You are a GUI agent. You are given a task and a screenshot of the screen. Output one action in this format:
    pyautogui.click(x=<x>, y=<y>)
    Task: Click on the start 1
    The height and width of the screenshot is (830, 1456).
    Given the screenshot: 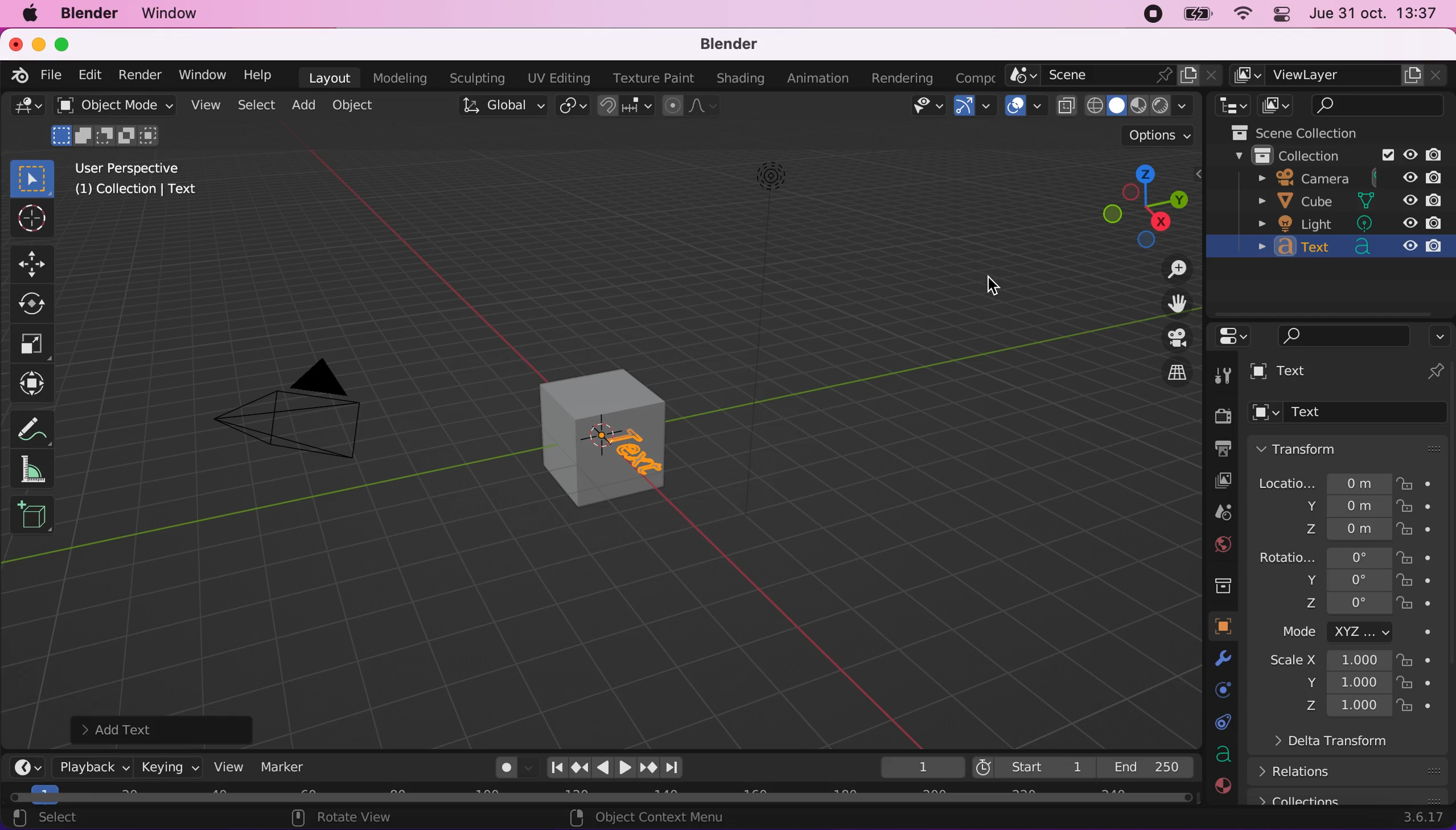 What is the action you would take?
    pyautogui.click(x=1032, y=766)
    